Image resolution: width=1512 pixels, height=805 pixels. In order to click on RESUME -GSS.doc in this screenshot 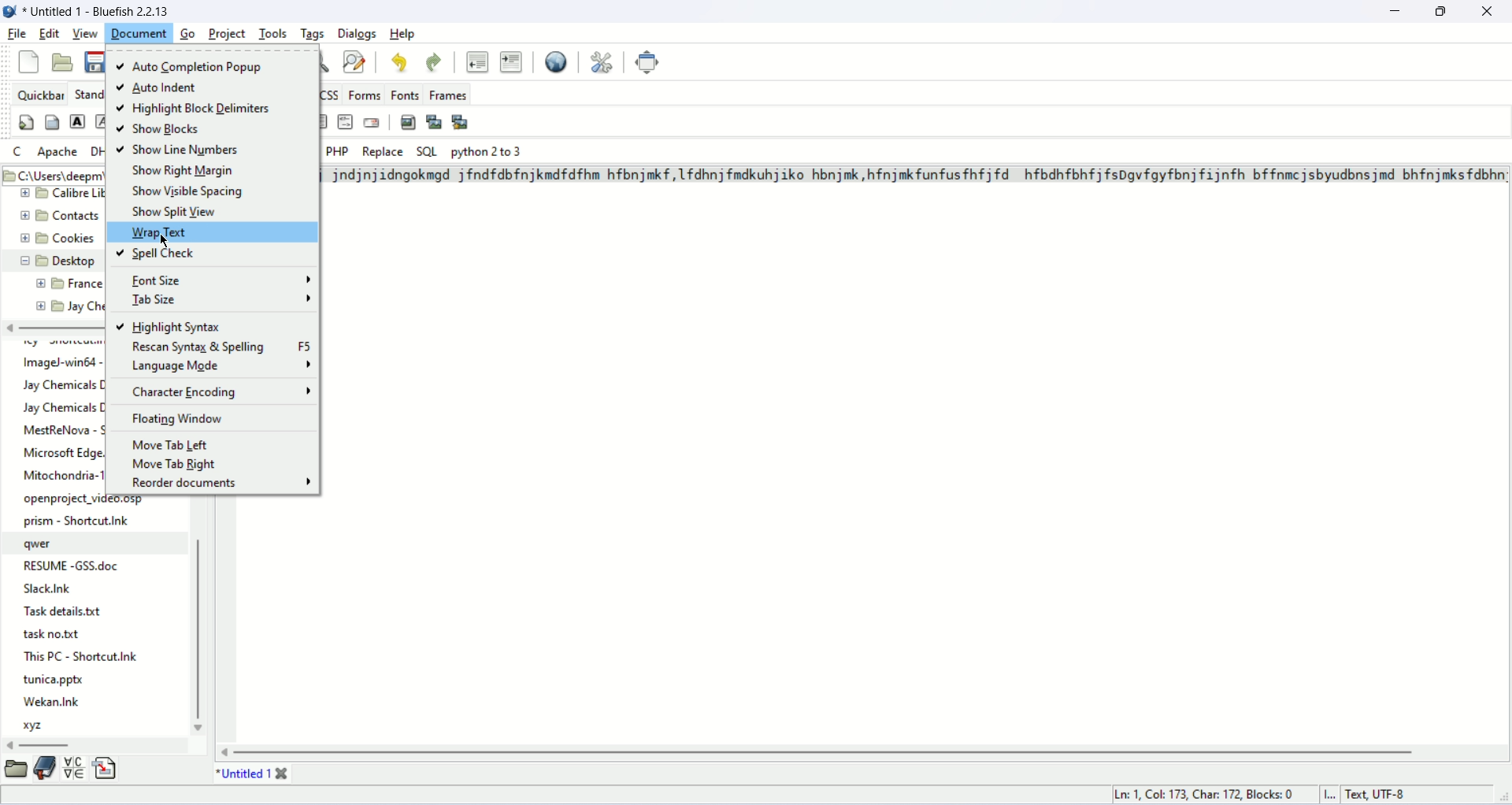, I will do `click(73, 563)`.